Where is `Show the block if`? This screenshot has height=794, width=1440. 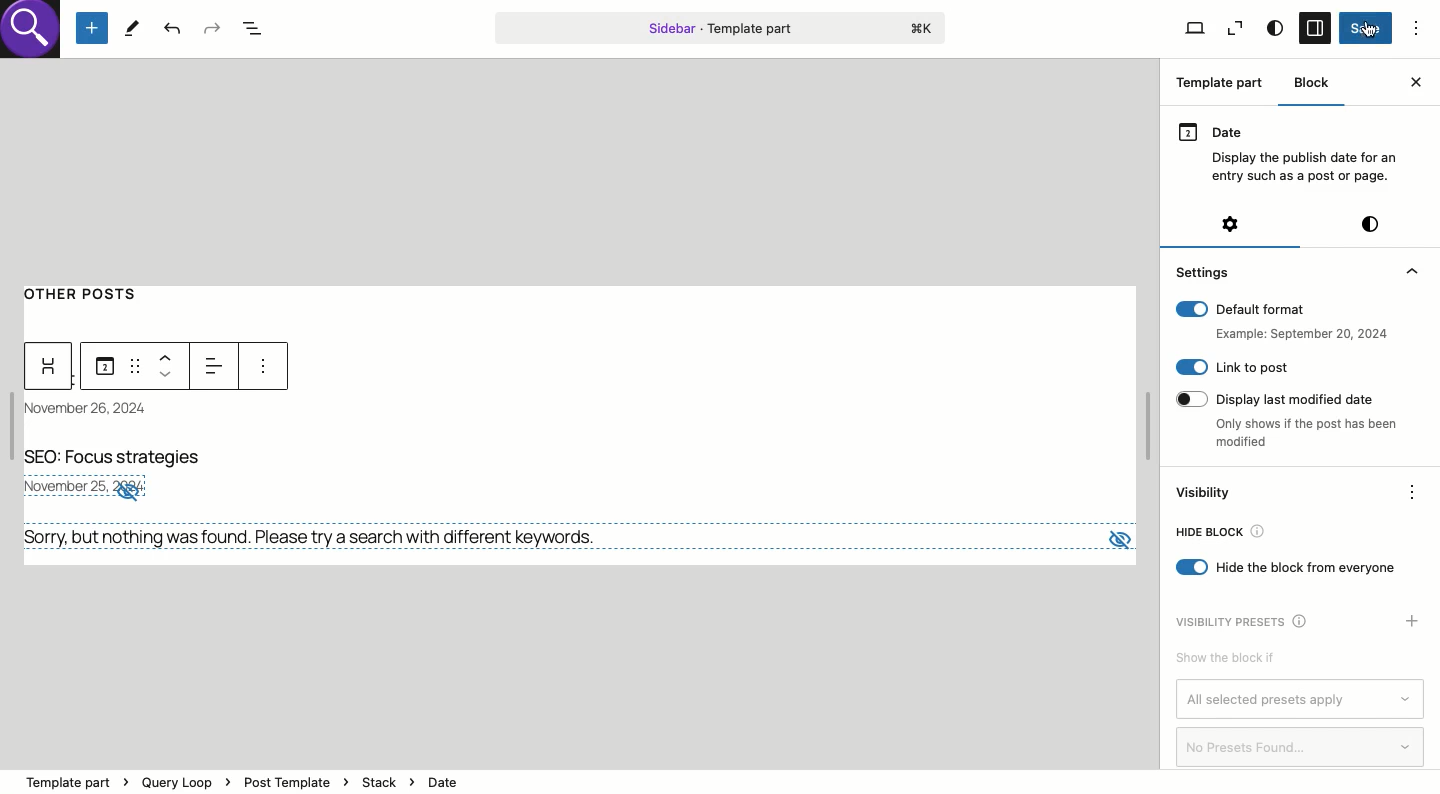 Show the block if is located at coordinates (1223, 659).